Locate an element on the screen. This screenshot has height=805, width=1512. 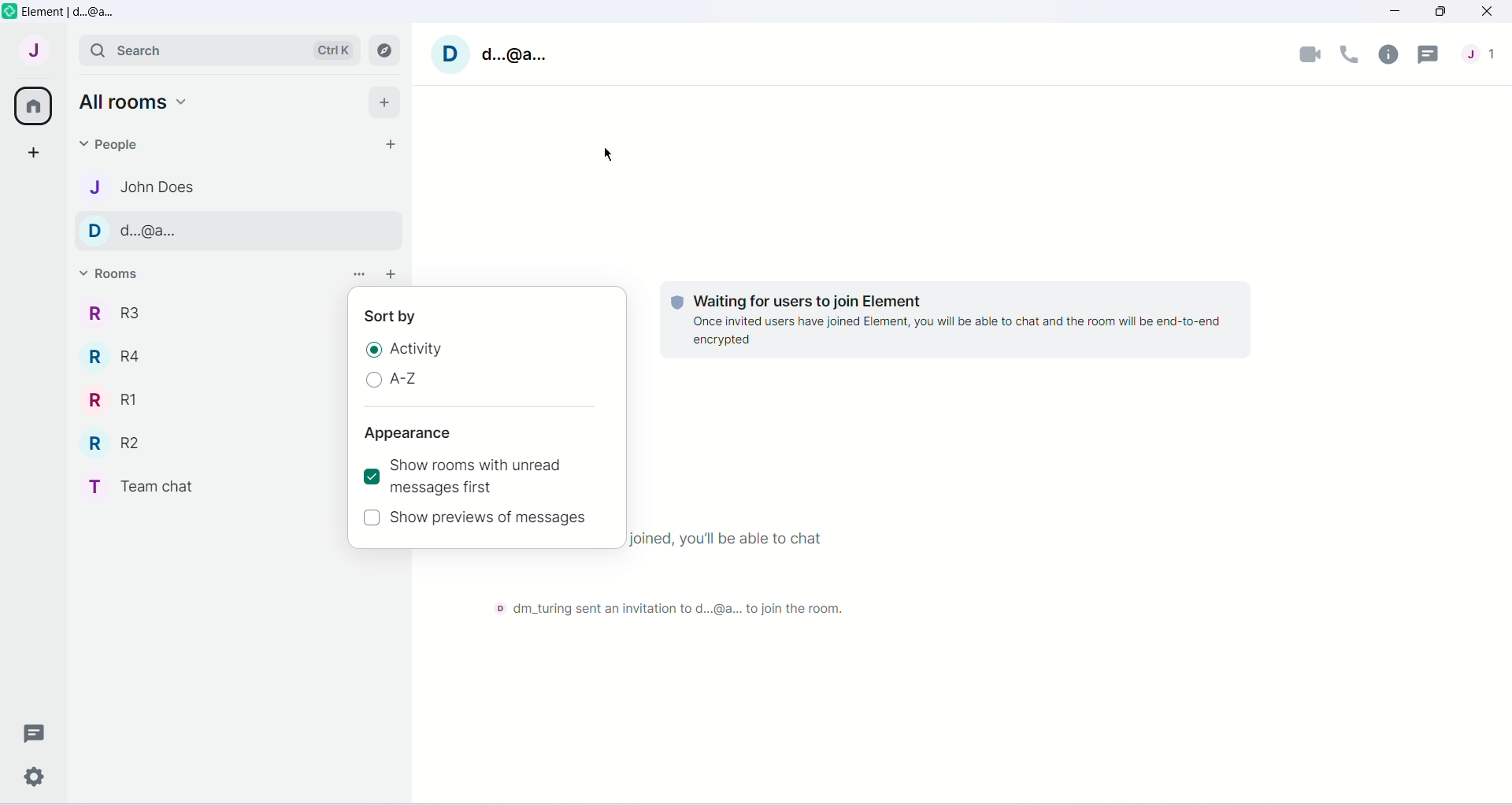
Checkbox unchecked is located at coordinates (372, 517).